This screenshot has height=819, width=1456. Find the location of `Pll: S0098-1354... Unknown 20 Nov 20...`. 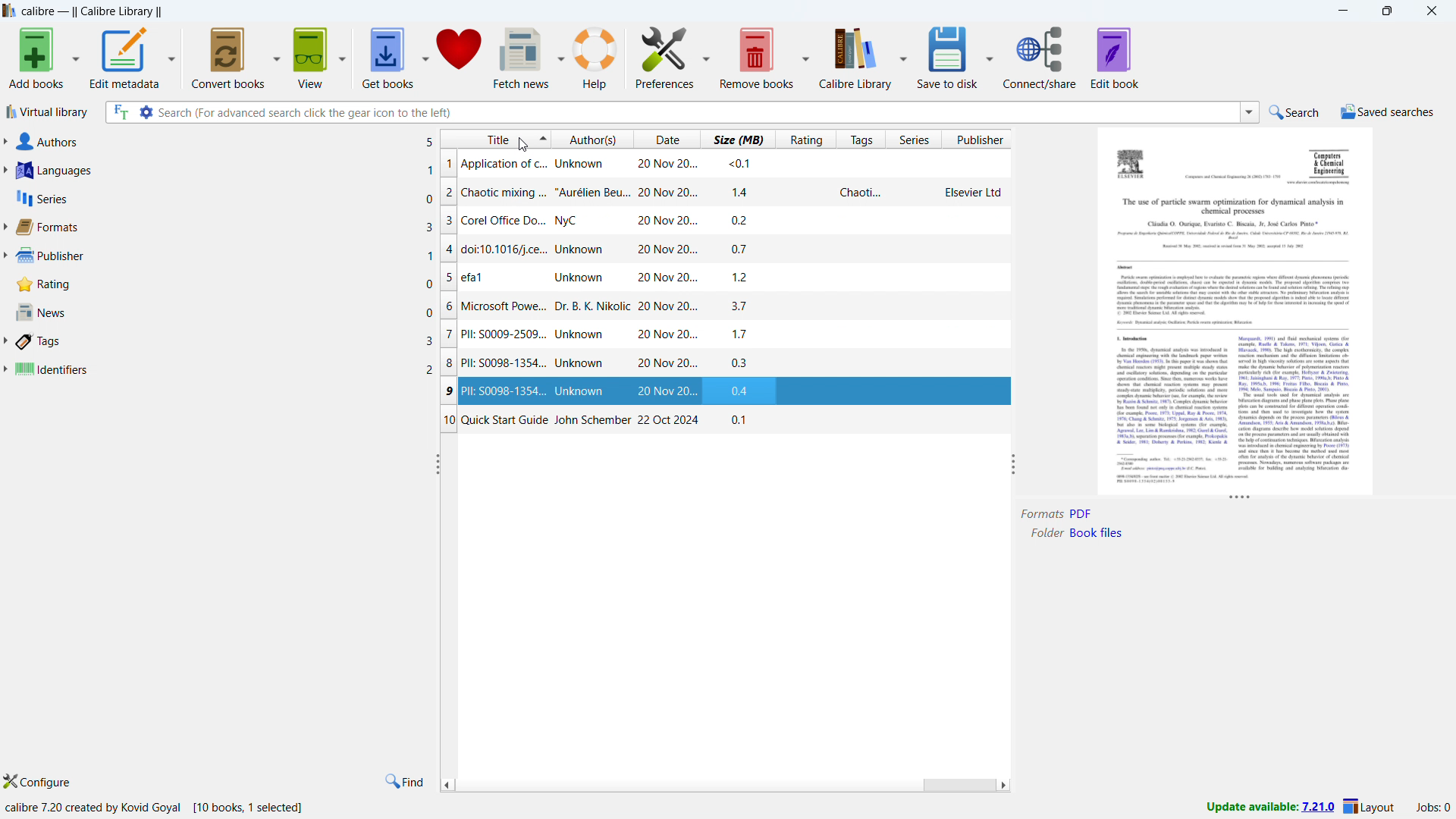

Pll: S0098-1354... Unknown 20 Nov 20... is located at coordinates (586, 360).